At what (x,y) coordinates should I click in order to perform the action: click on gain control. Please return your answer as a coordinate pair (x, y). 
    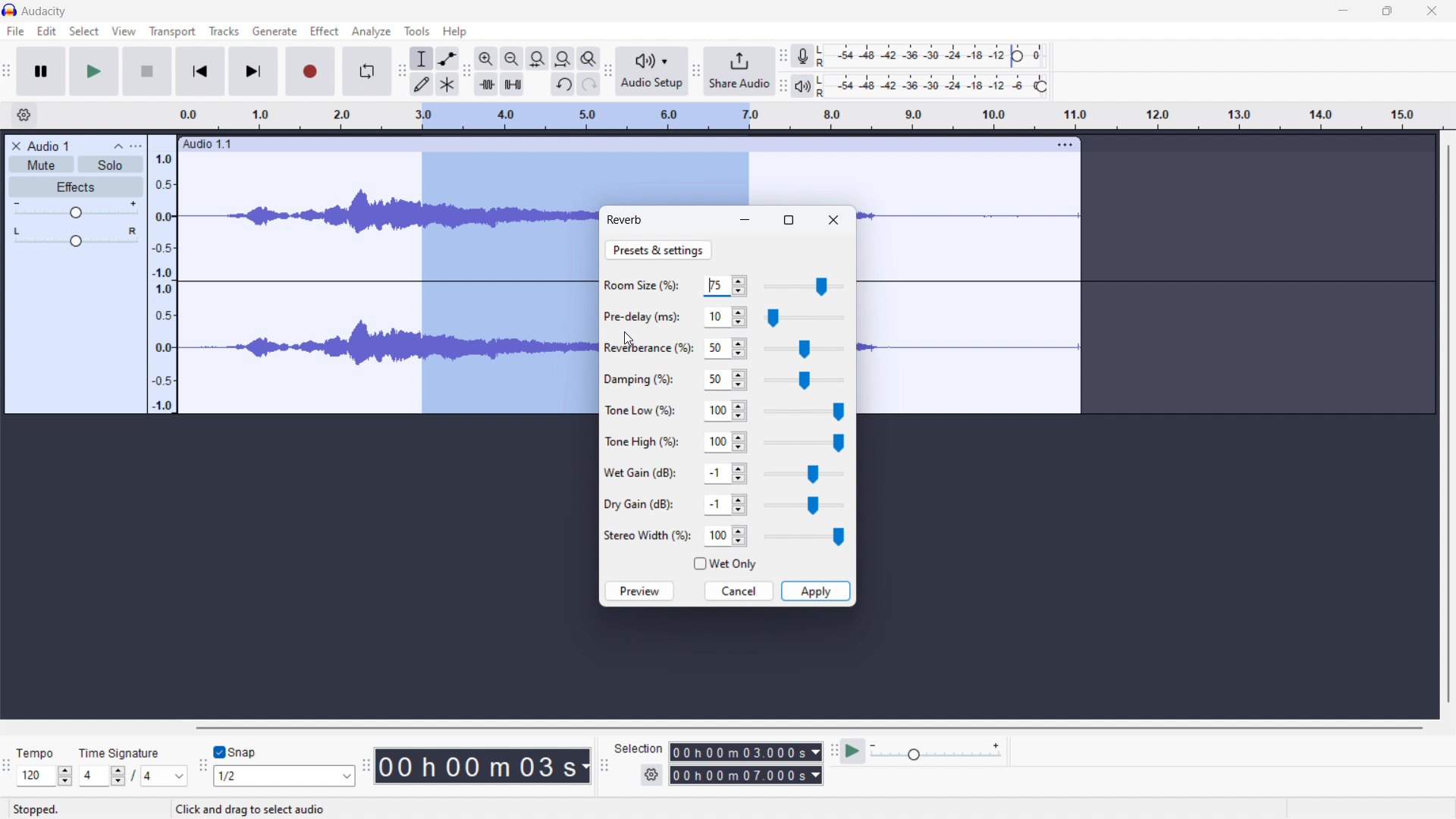
    Looking at the image, I should click on (75, 211).